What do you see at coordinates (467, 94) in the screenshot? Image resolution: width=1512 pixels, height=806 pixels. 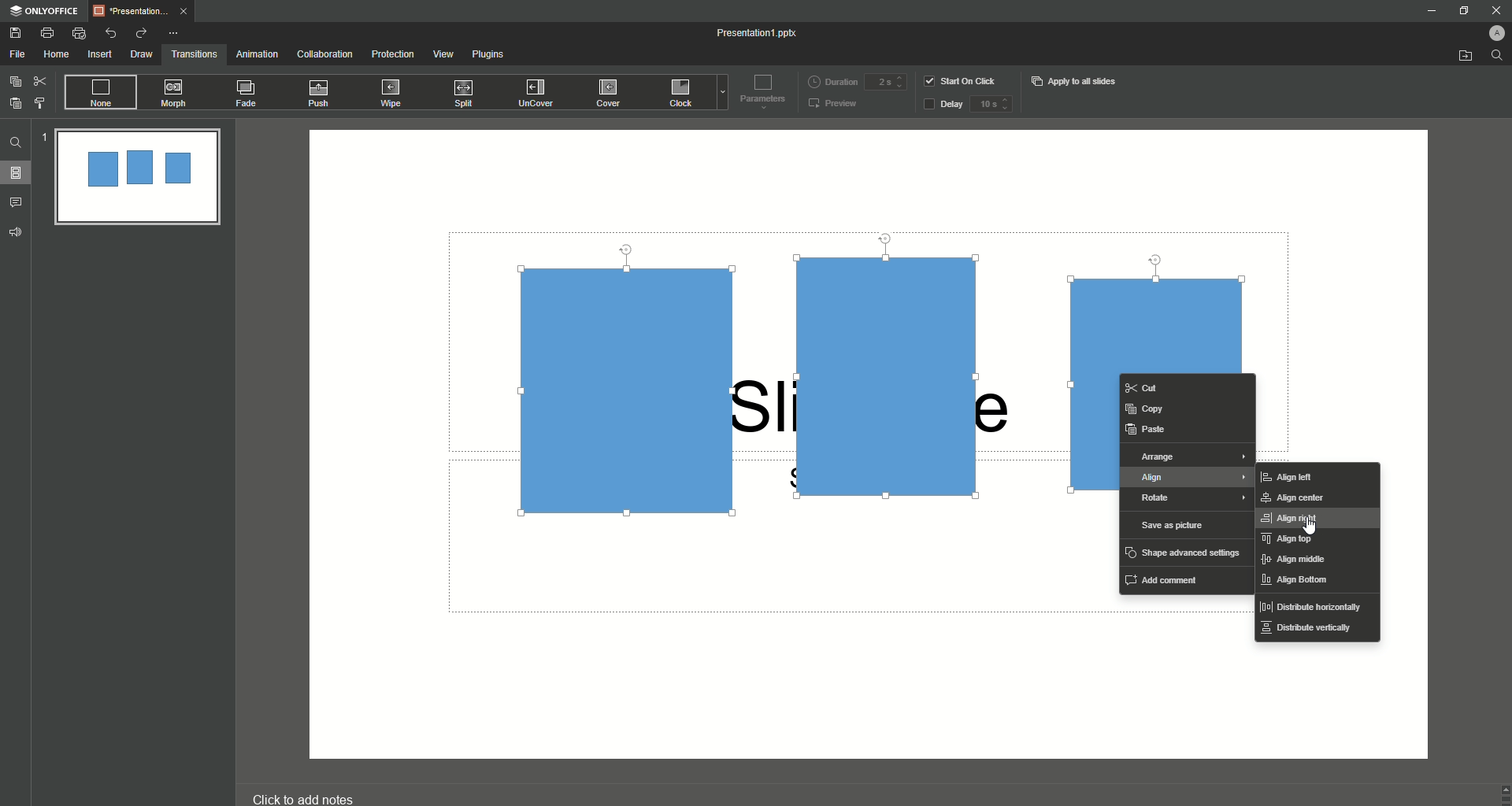 I see `Split` at bounding box center [467, 94].